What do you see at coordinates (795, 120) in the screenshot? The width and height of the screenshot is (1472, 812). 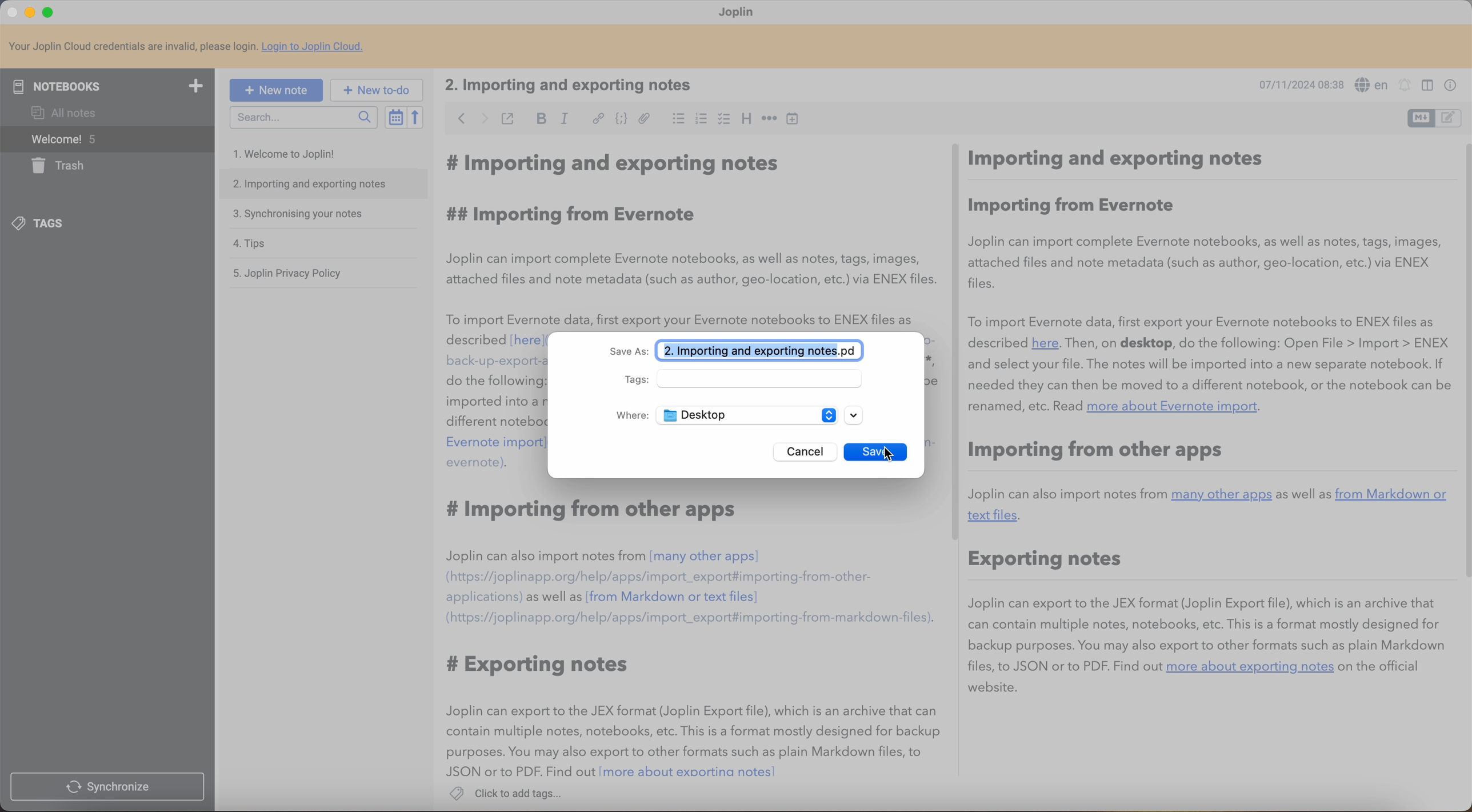 I see `insert time` at bounding box center [795, 120].